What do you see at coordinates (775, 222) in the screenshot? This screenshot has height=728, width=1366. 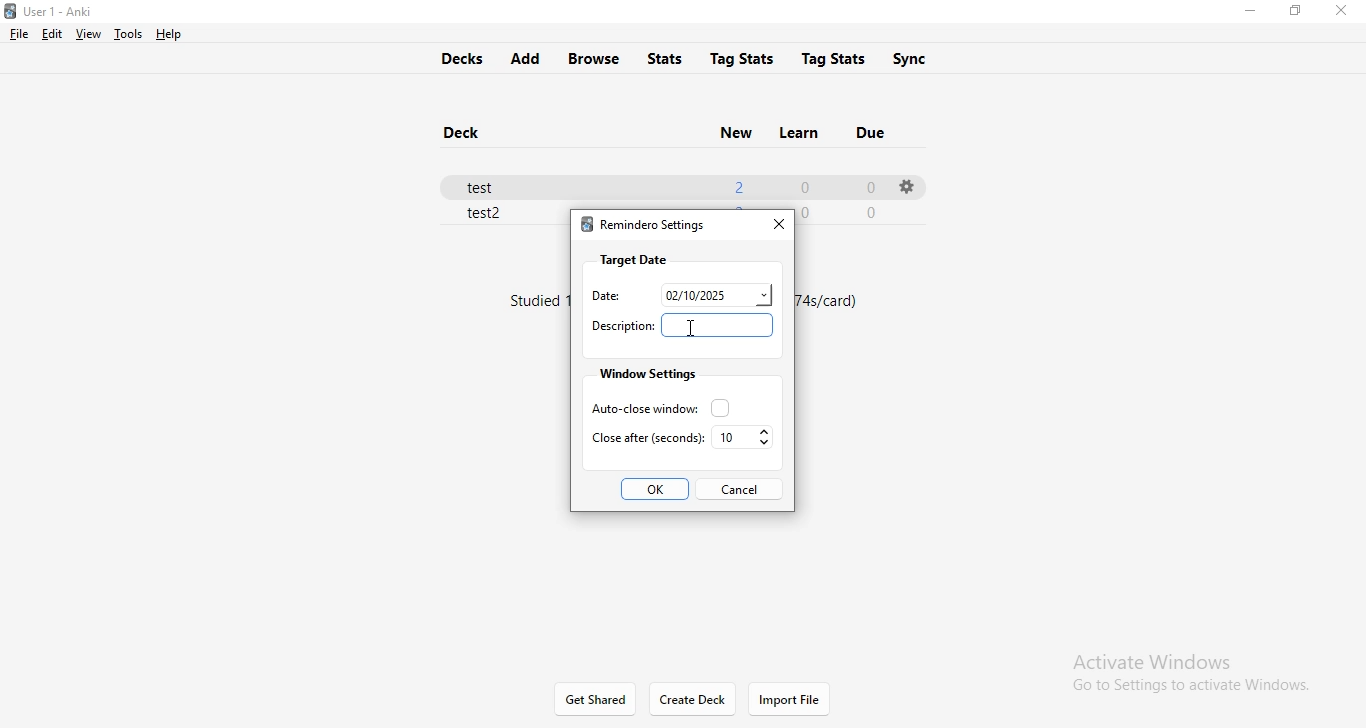 I see `close` at bounding box center [775, 222].